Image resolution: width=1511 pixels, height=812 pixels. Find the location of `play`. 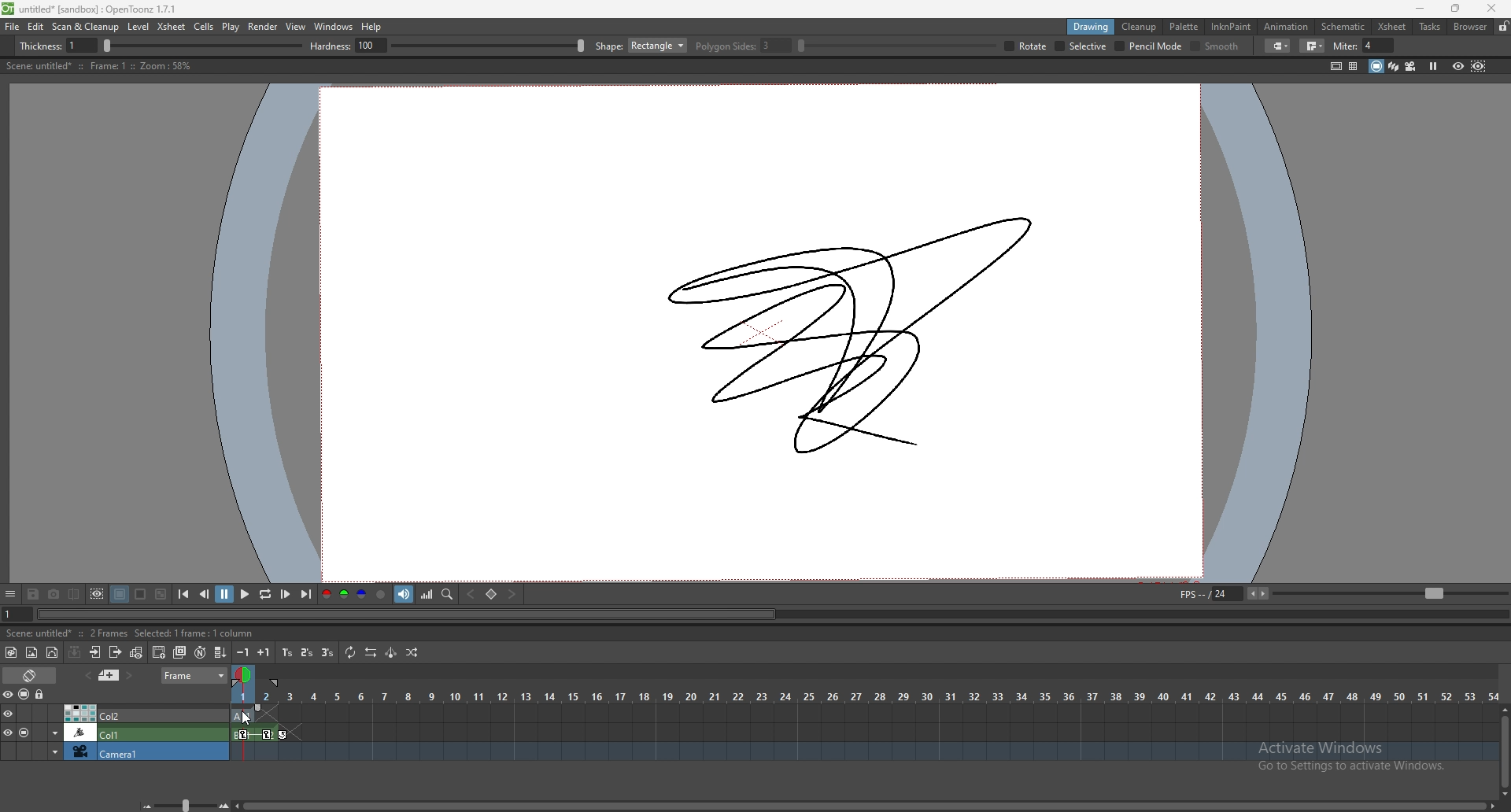

play is located at coordinates (246, 593).